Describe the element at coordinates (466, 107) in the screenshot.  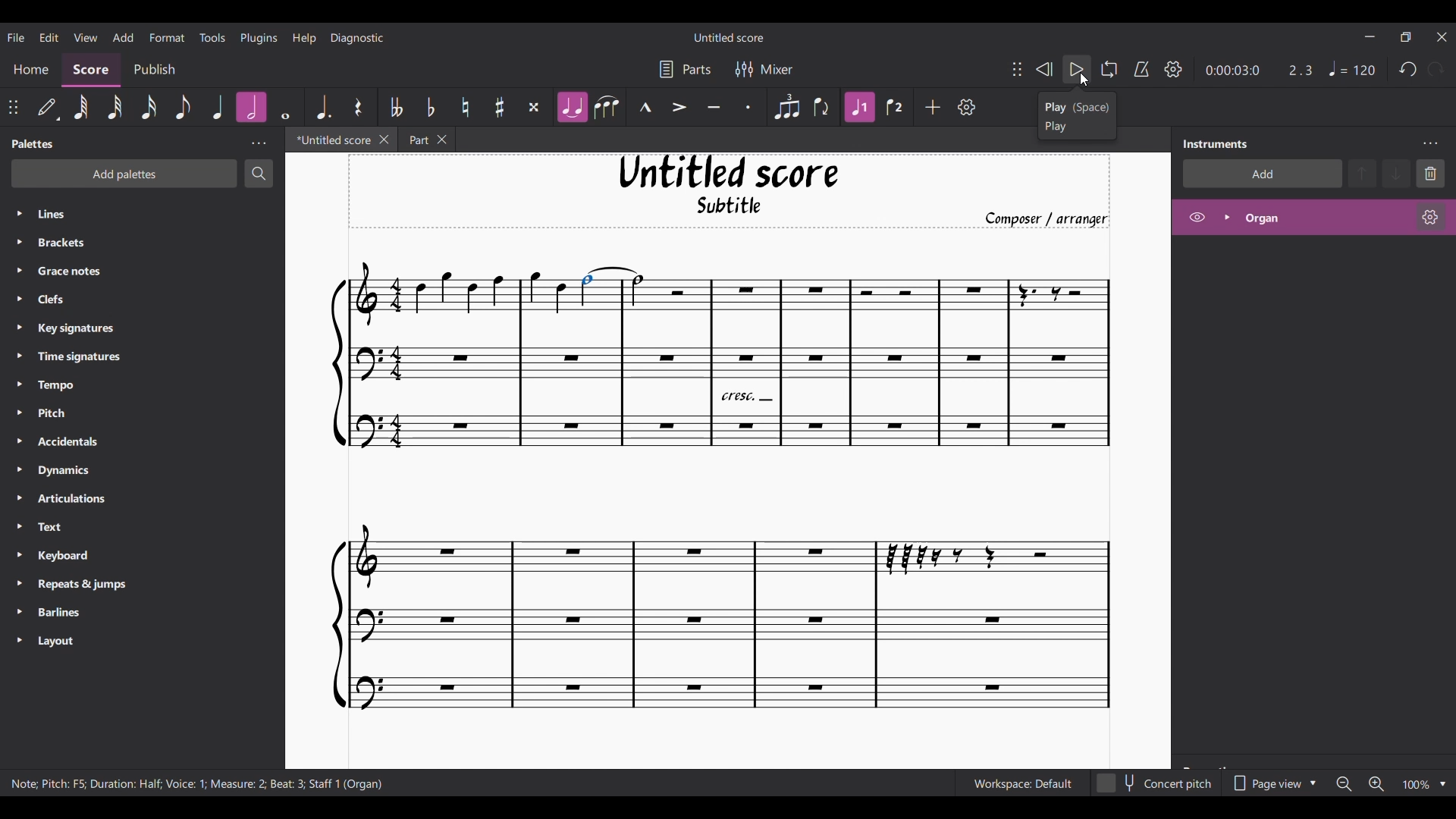
I see `Toggle natural` at that location.